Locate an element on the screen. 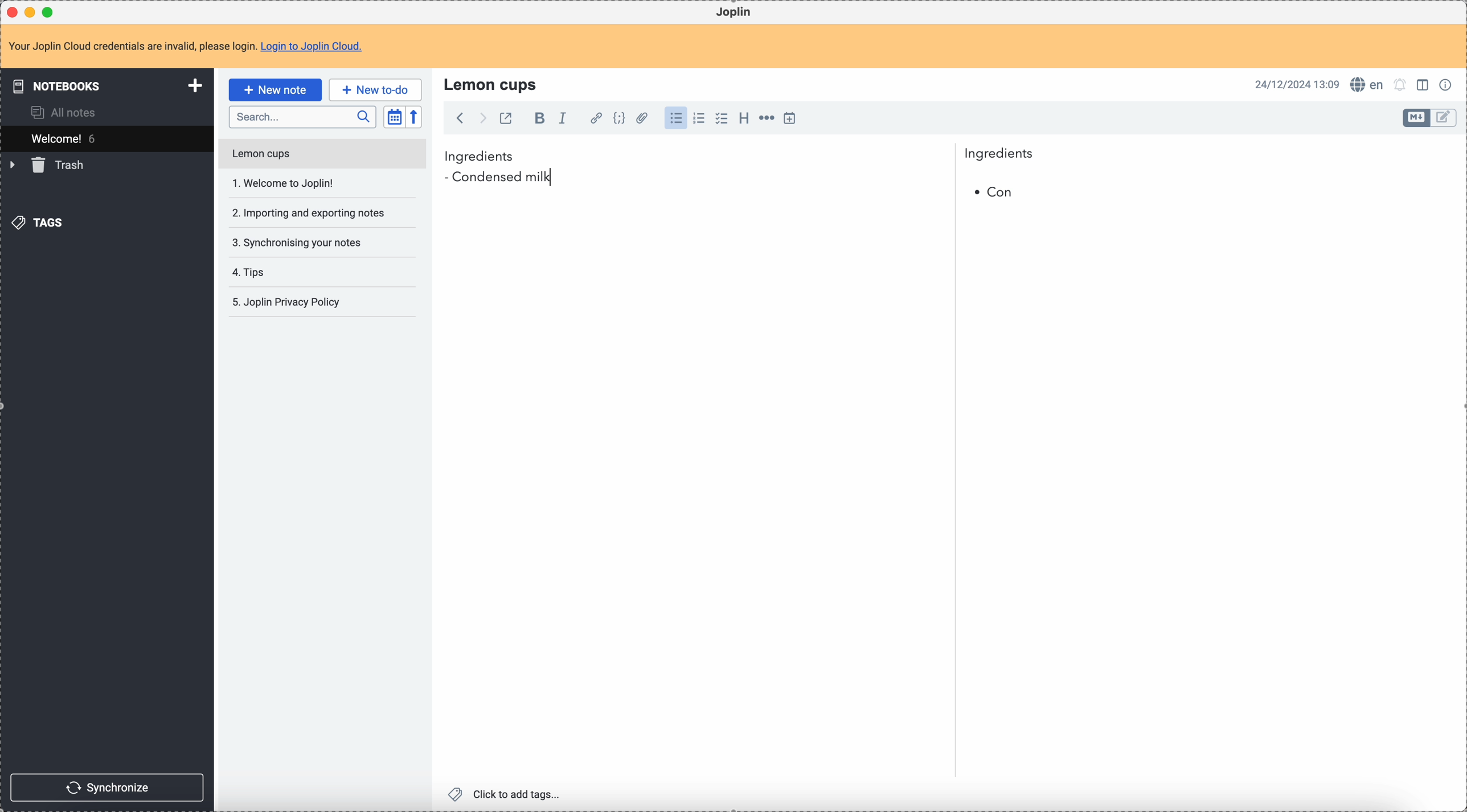 Image resolution: width=1467 pixels, height=812 pixels. welcome to Joplin! is located at coordinates (284, 183).